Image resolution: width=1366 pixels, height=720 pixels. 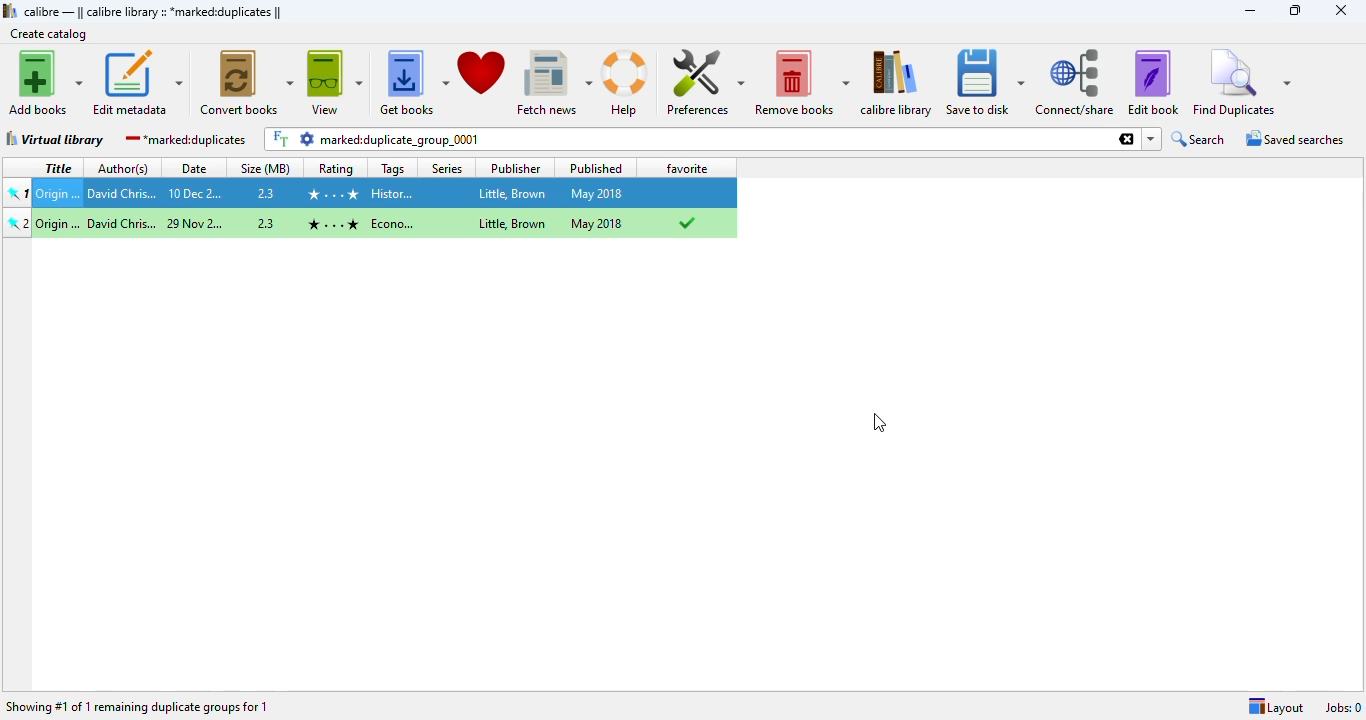 I want to click on pinned book 3, so click(x=14, y=224).